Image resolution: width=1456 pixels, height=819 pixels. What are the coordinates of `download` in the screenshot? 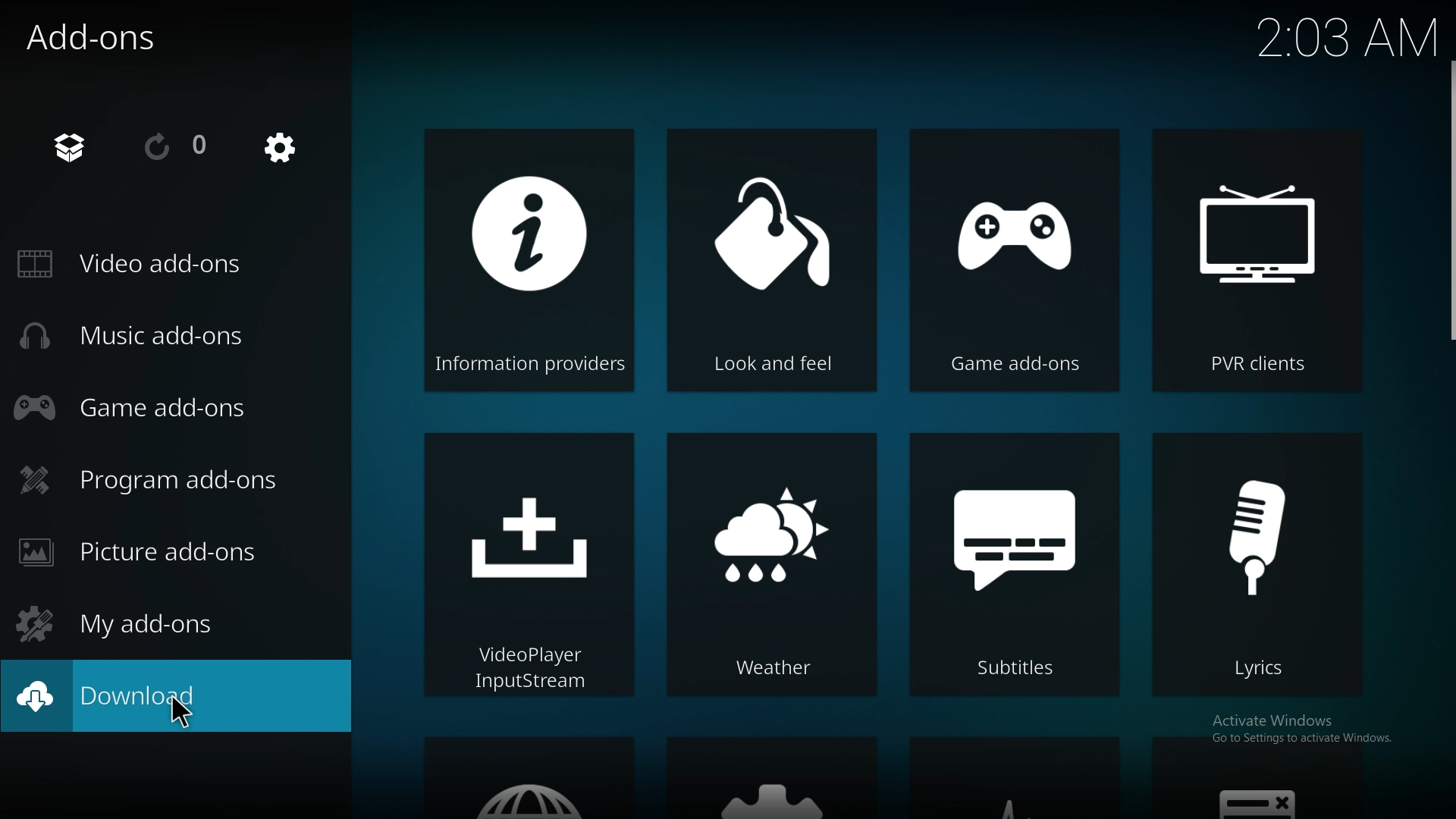 It's located at (86, 697).